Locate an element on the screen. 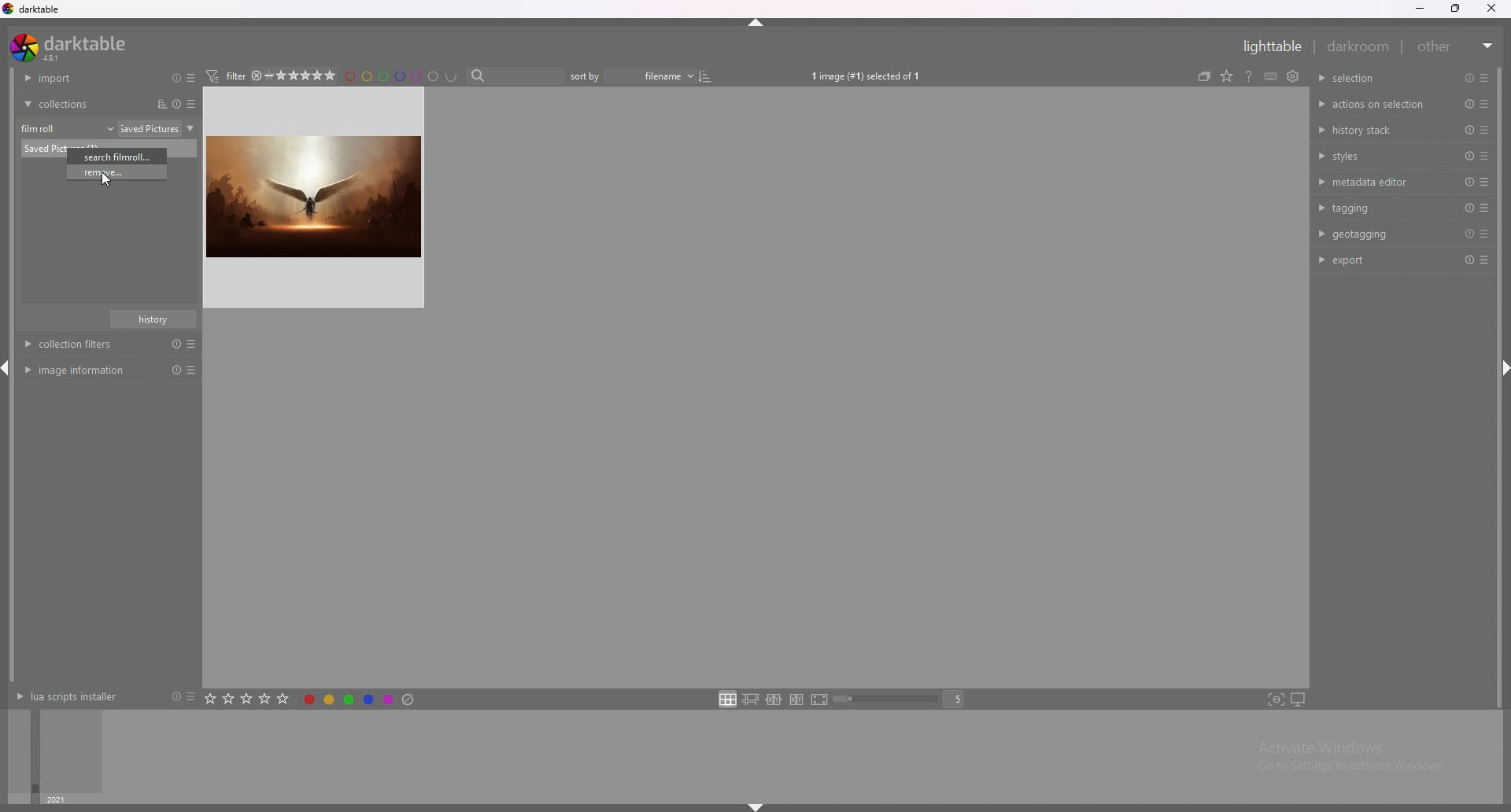 This screenshot has width=1511, height=812. culling layout in dynamic mode is located at coordinates (796, 699).